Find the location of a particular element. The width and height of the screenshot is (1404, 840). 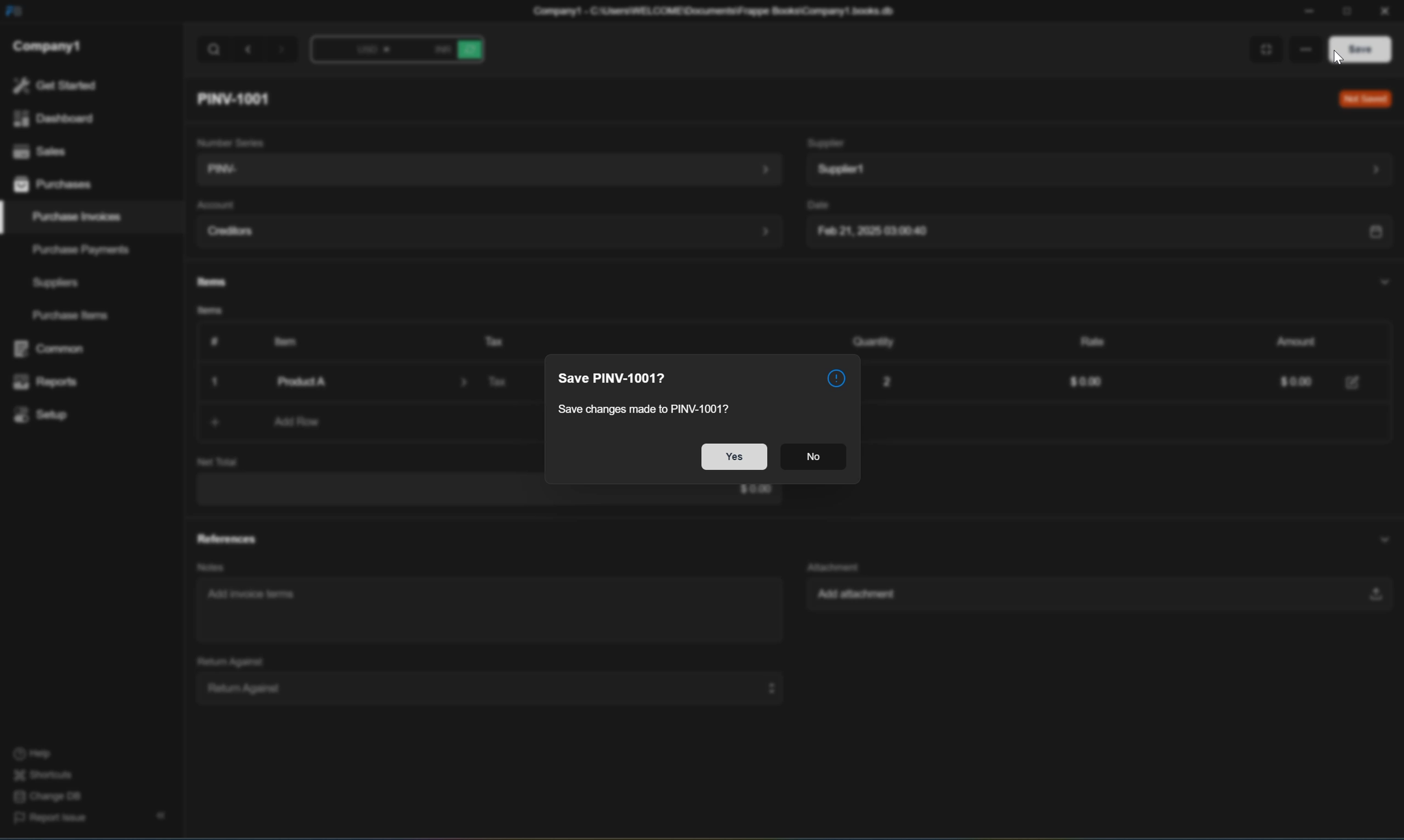

Net Total is located at coordinates (217, 462).